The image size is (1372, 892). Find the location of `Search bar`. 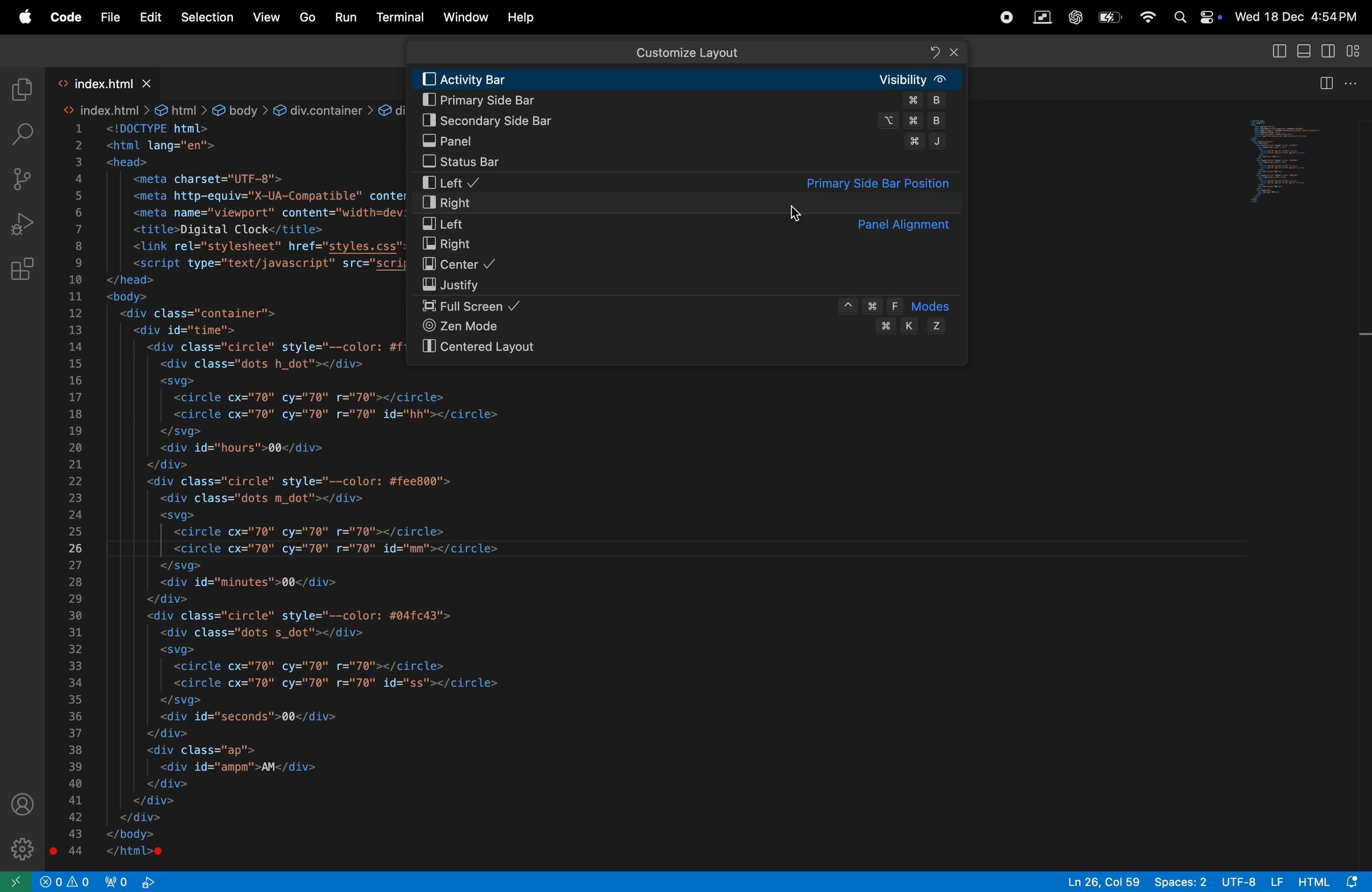

Search bar is located at coordinates (684, 51).